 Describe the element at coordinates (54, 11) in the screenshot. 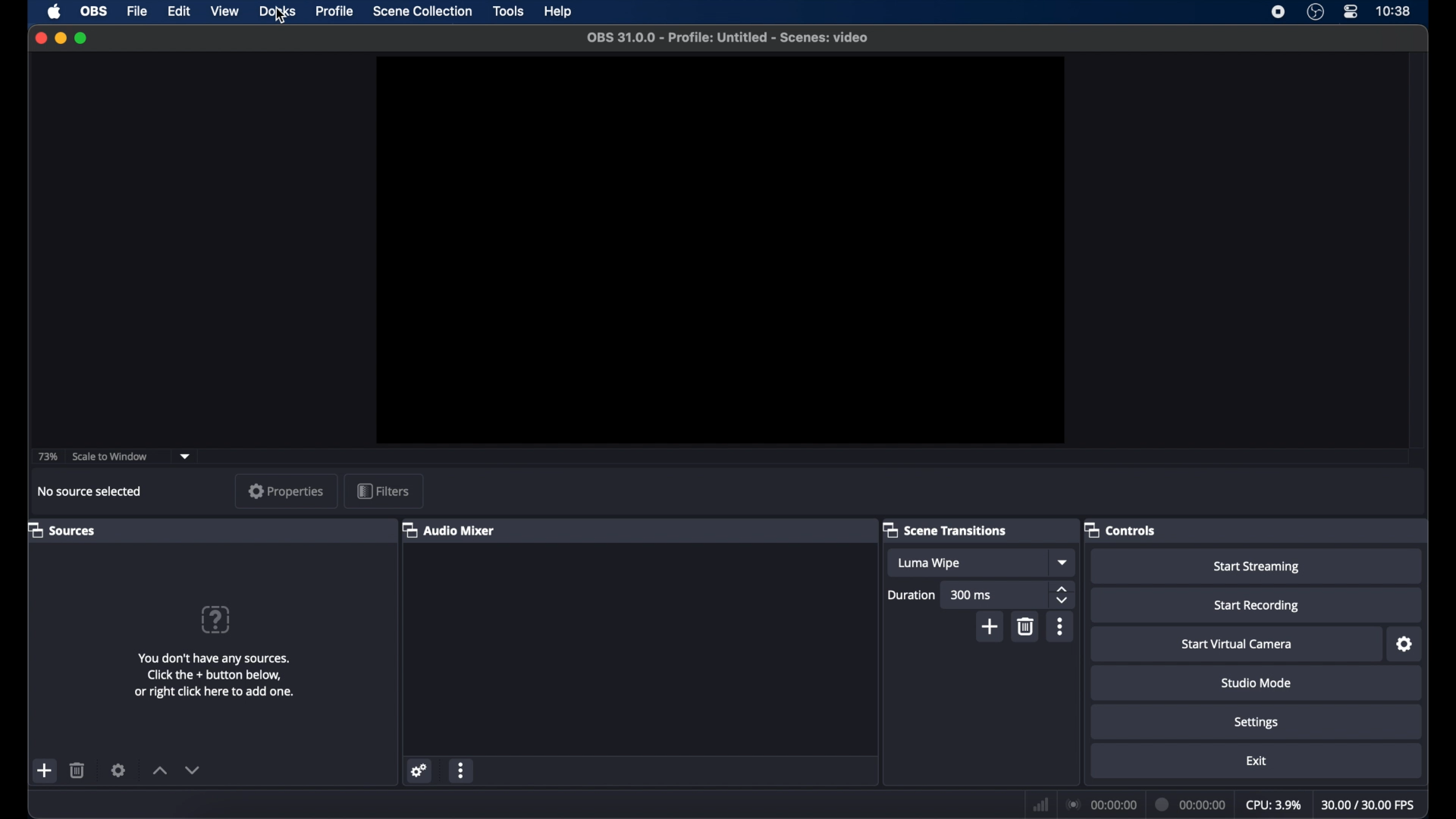

I see `apple icon` at that location.